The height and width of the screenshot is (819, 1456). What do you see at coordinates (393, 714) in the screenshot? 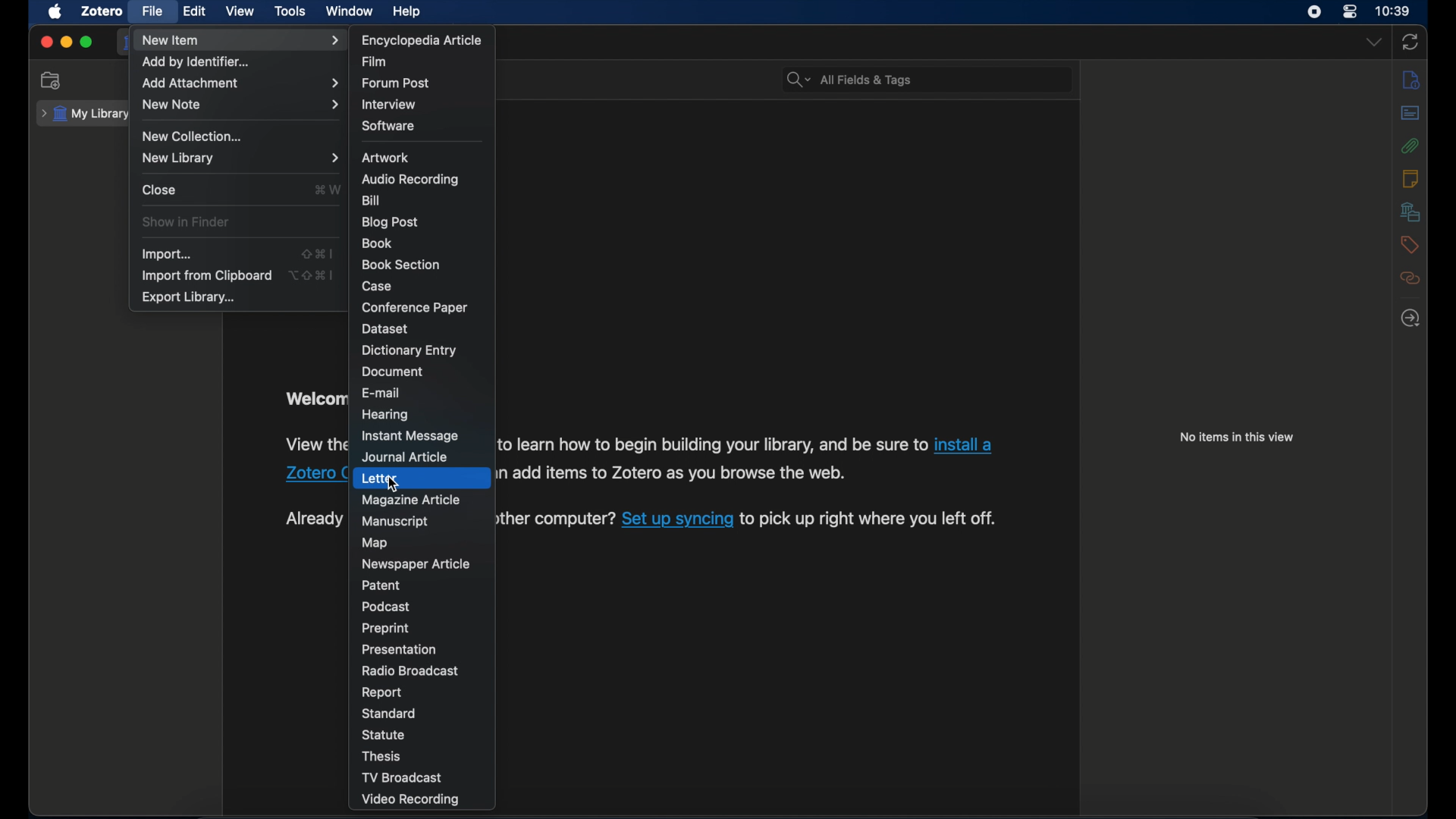
I see `standard` at bounding box center [393, 714].